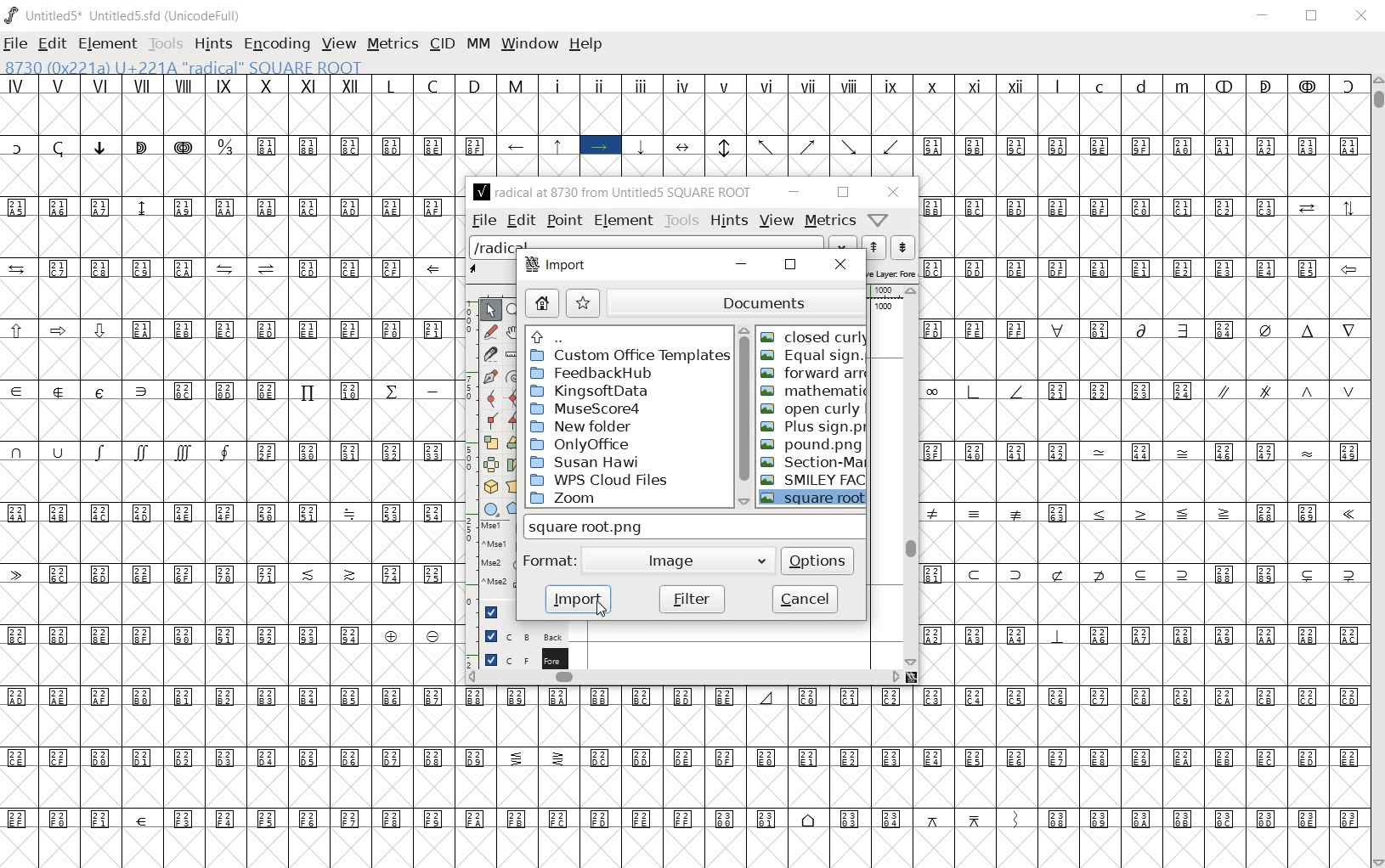 This screenshot has width=1385, height=868. I want to click on METRICS, so click(390, 45).